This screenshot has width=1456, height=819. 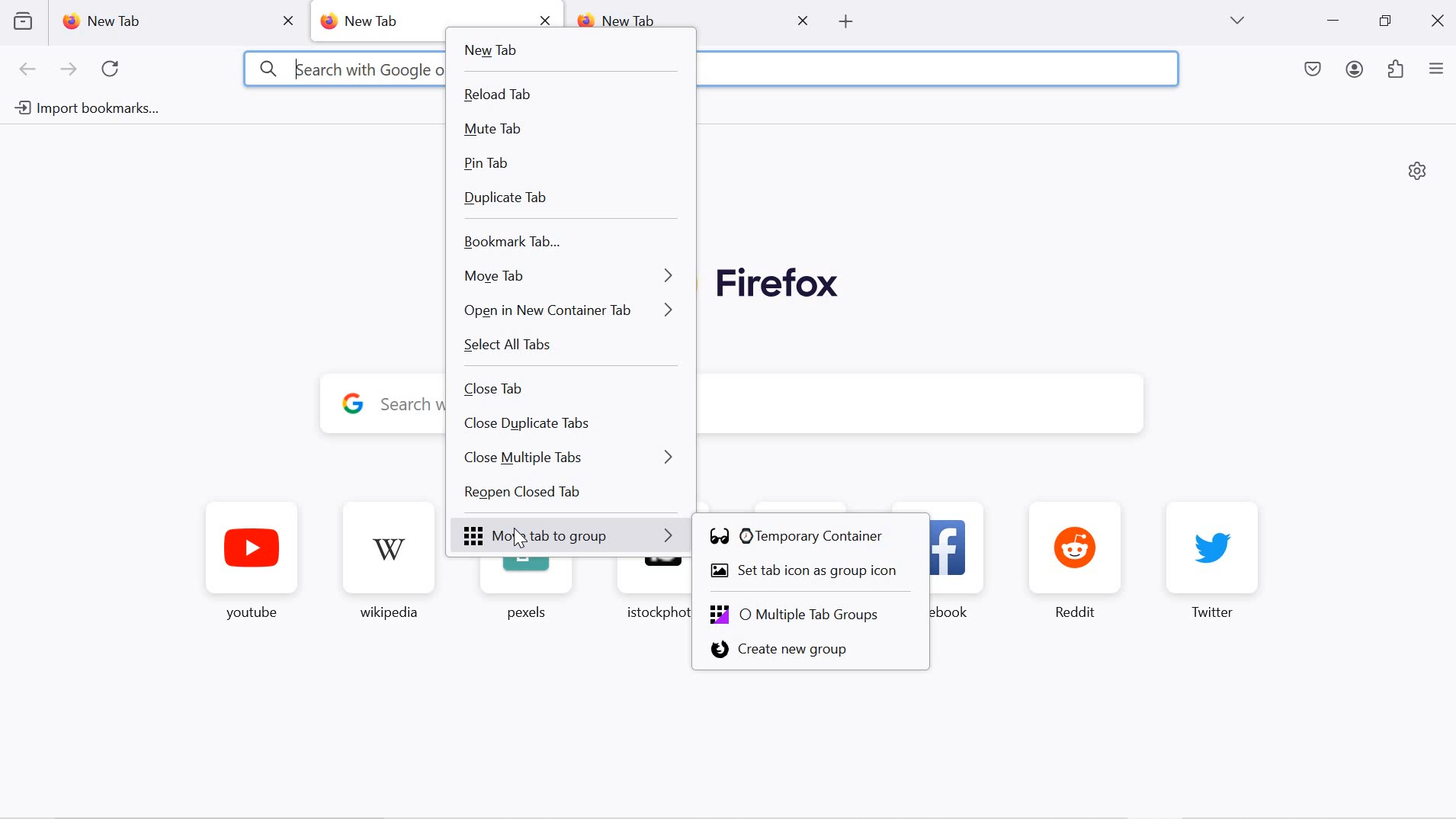 What do you see at coordinates (408, 402) in the screenshot?
I see `y Search with Google or enter address` at bounding box center [408, 402].